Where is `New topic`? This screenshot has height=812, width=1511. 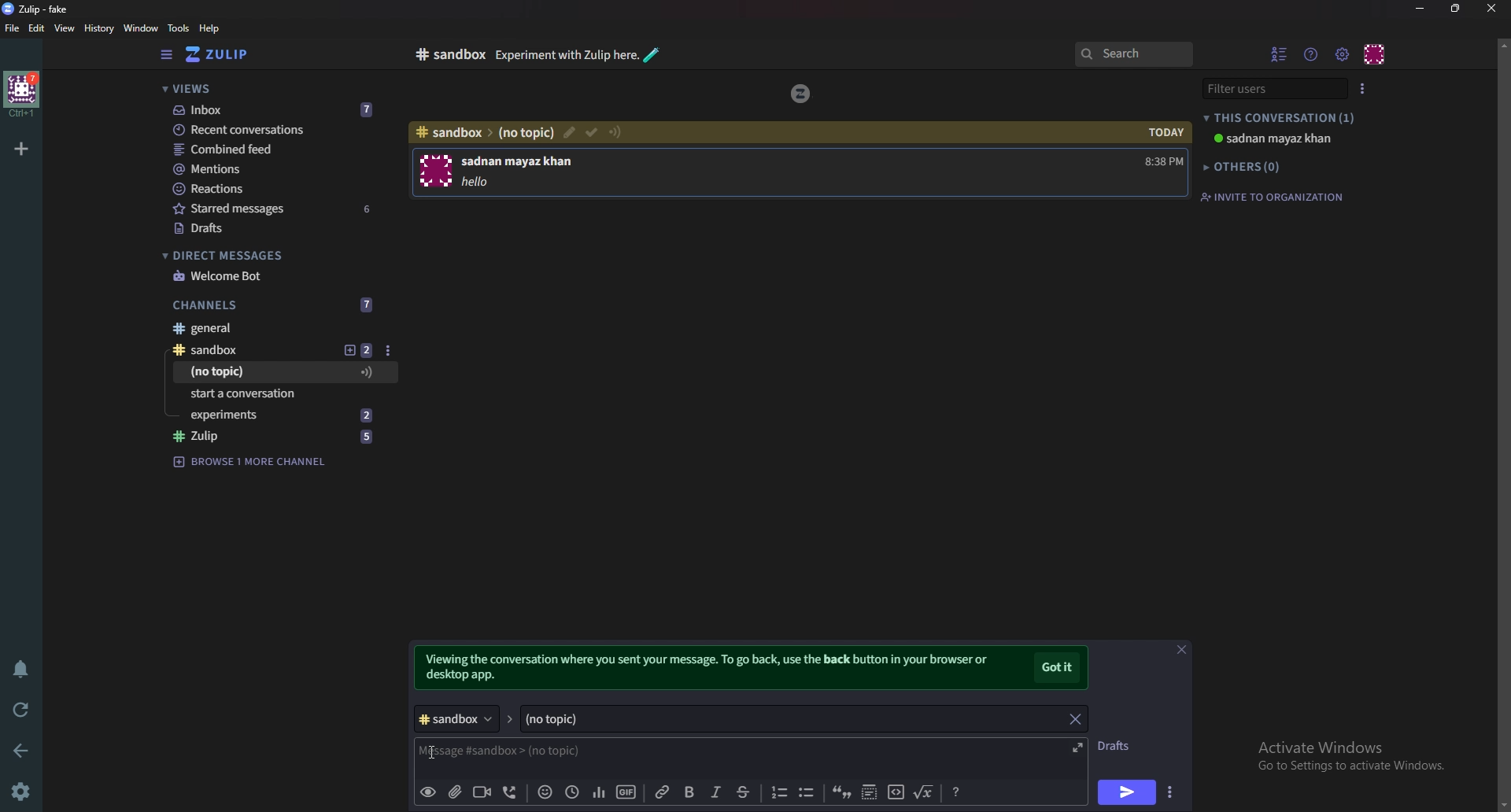 New topic is located at coordinates (357, 351).